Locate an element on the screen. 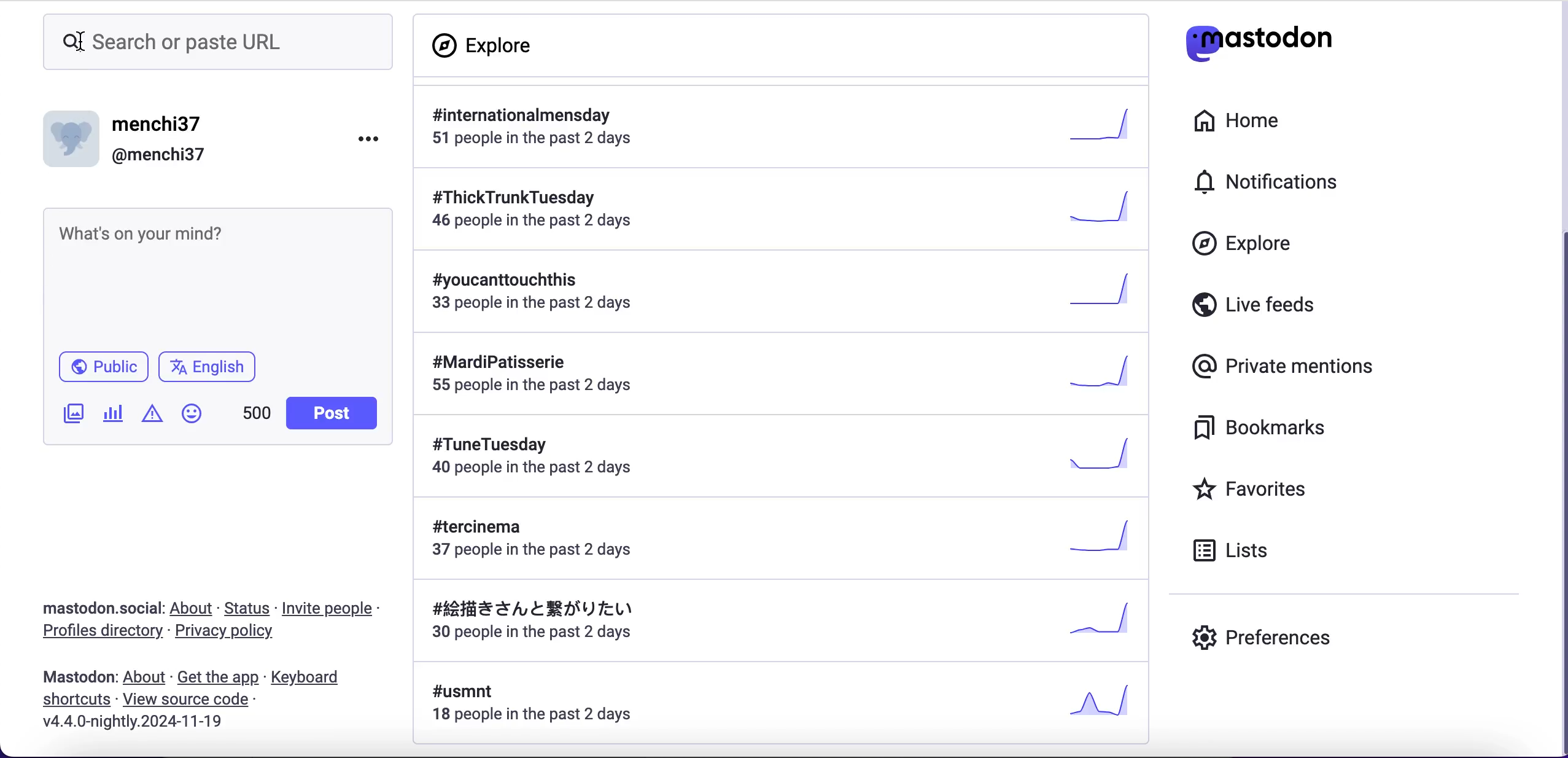 The image size is (1568, 758). add poll is located at coordinates (115, 413).